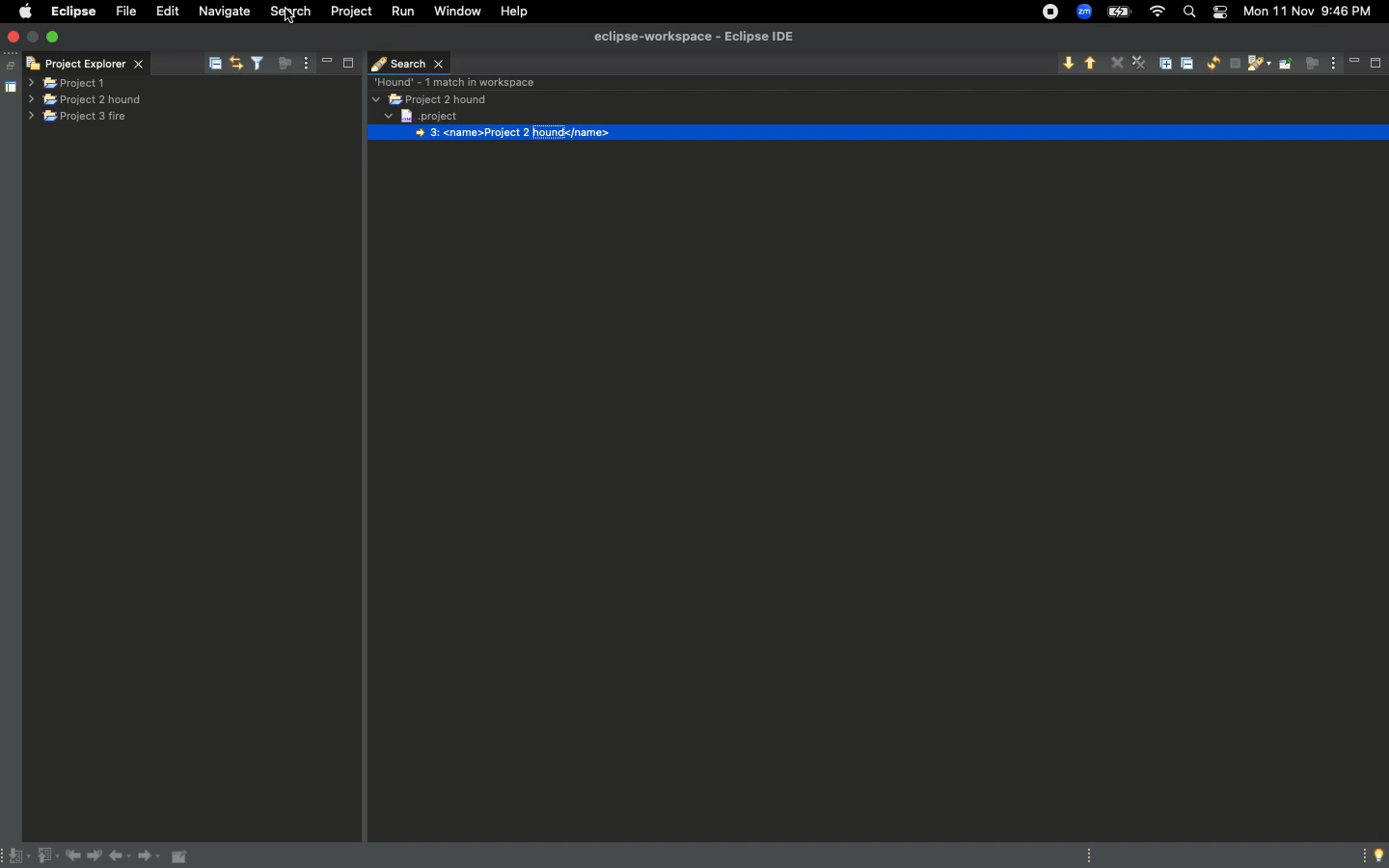 This screenshot has width=1389, height=868. What do you see at coordinates (122, 858) in the screenshot?
I see `Back` at bounding box center [122, 858].